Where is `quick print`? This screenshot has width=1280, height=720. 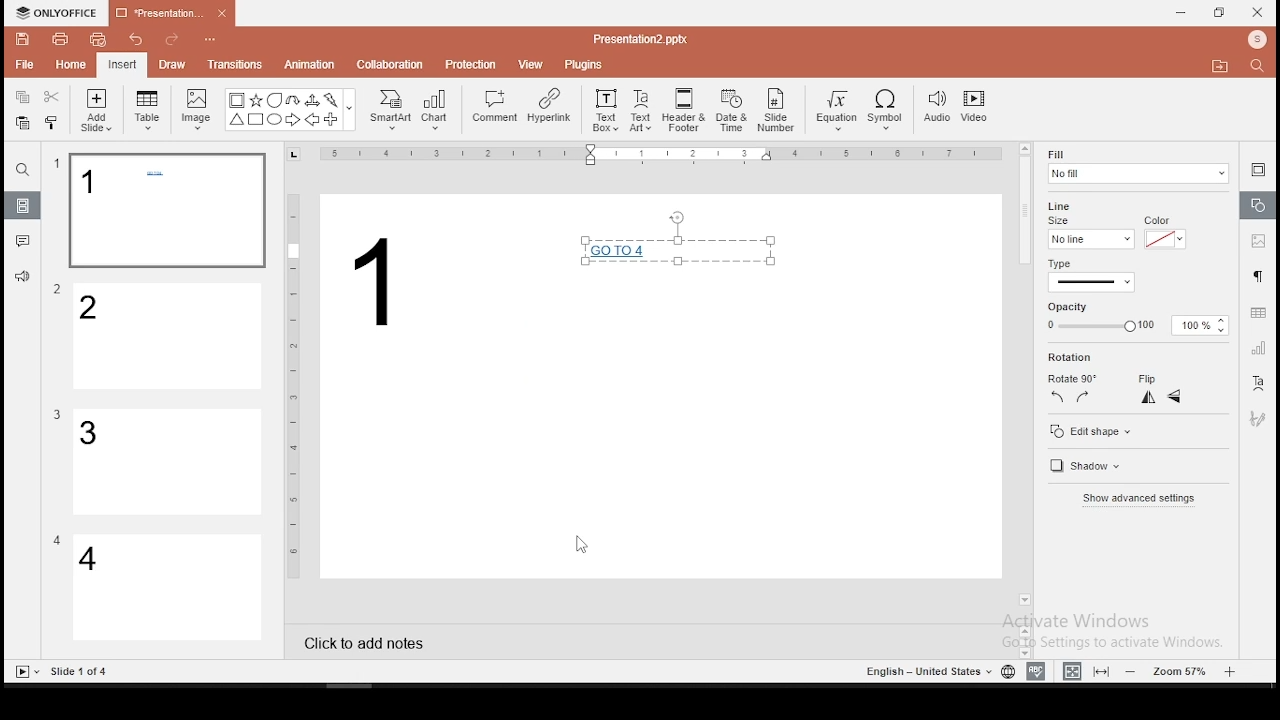
quick print is located at coordinates (98, 39).